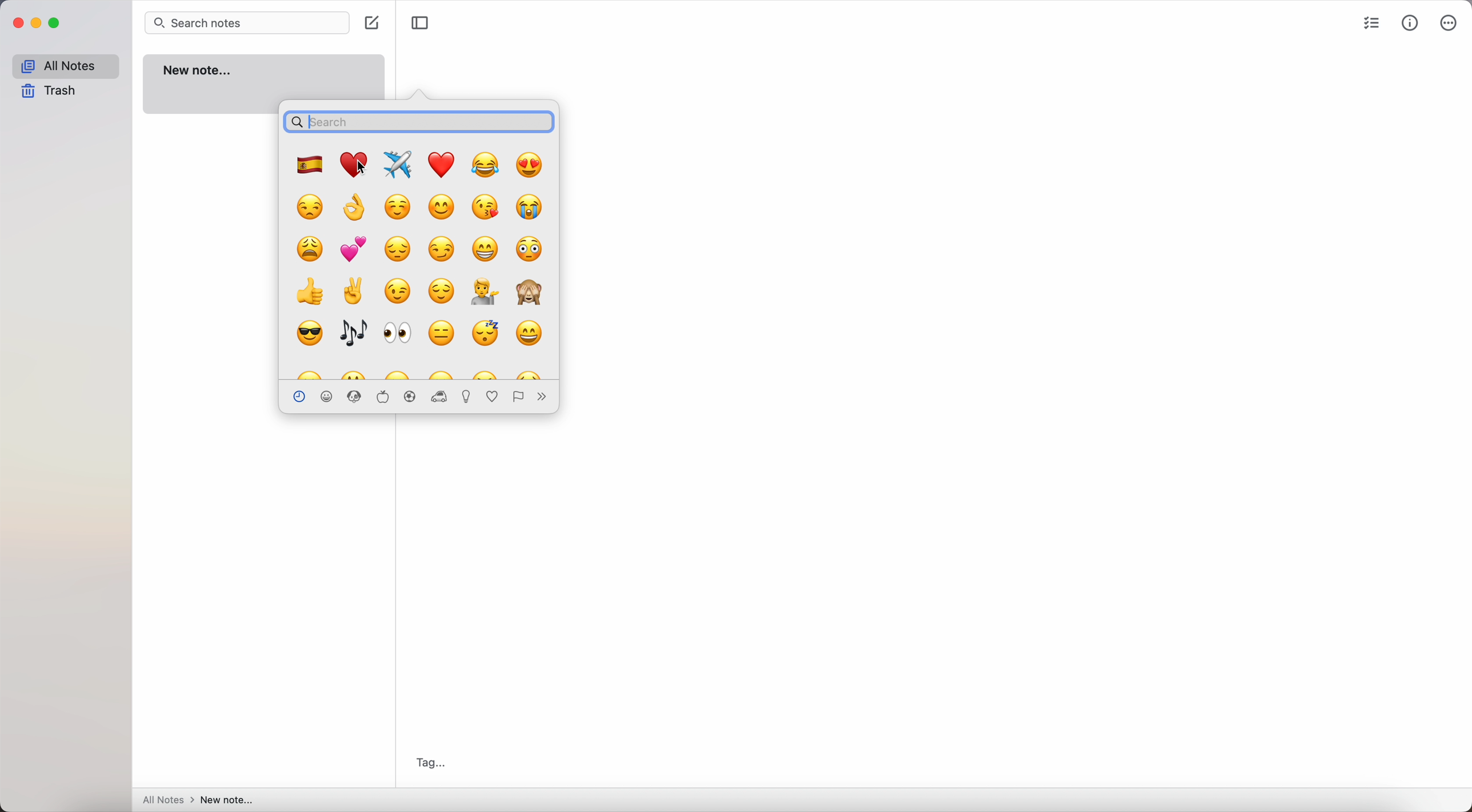  What do you see at coordinates (440, 334) in the screenshot?
I see `emoji` at bounding box center [440, 334].